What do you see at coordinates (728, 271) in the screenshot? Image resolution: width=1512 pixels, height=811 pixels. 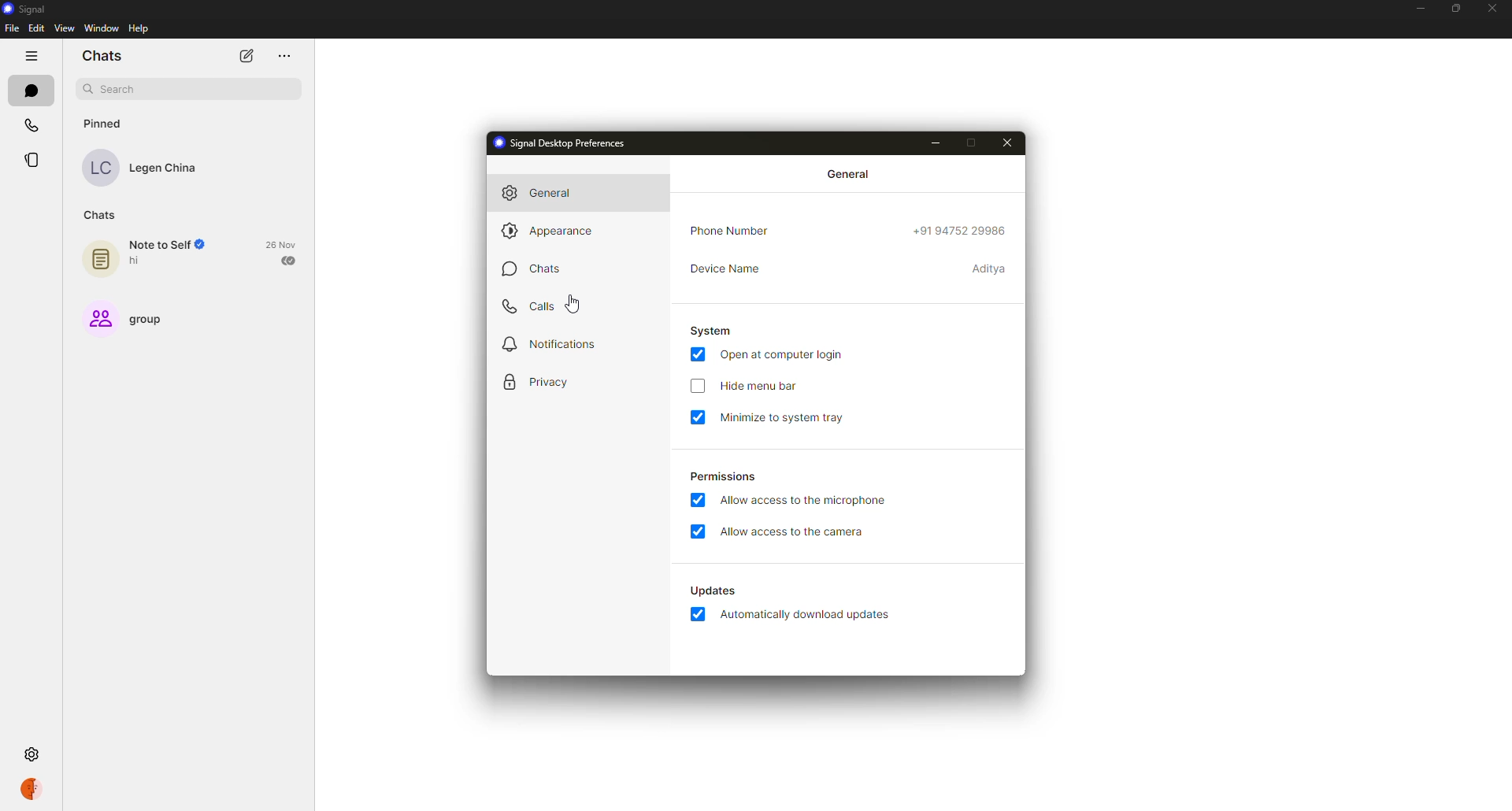 I see `device name` at bounding box center [728, 271].